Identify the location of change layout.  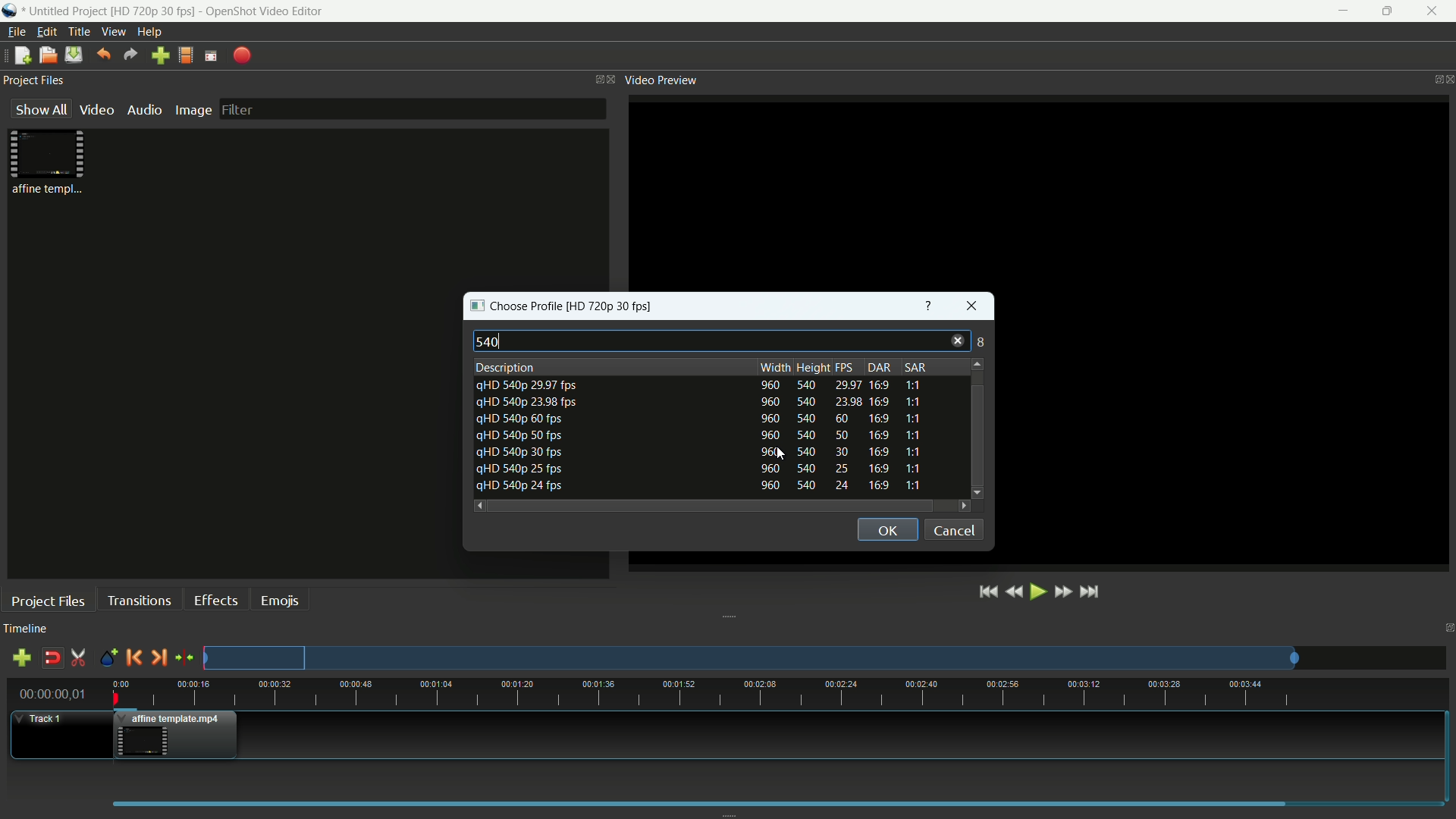
(595, 79).